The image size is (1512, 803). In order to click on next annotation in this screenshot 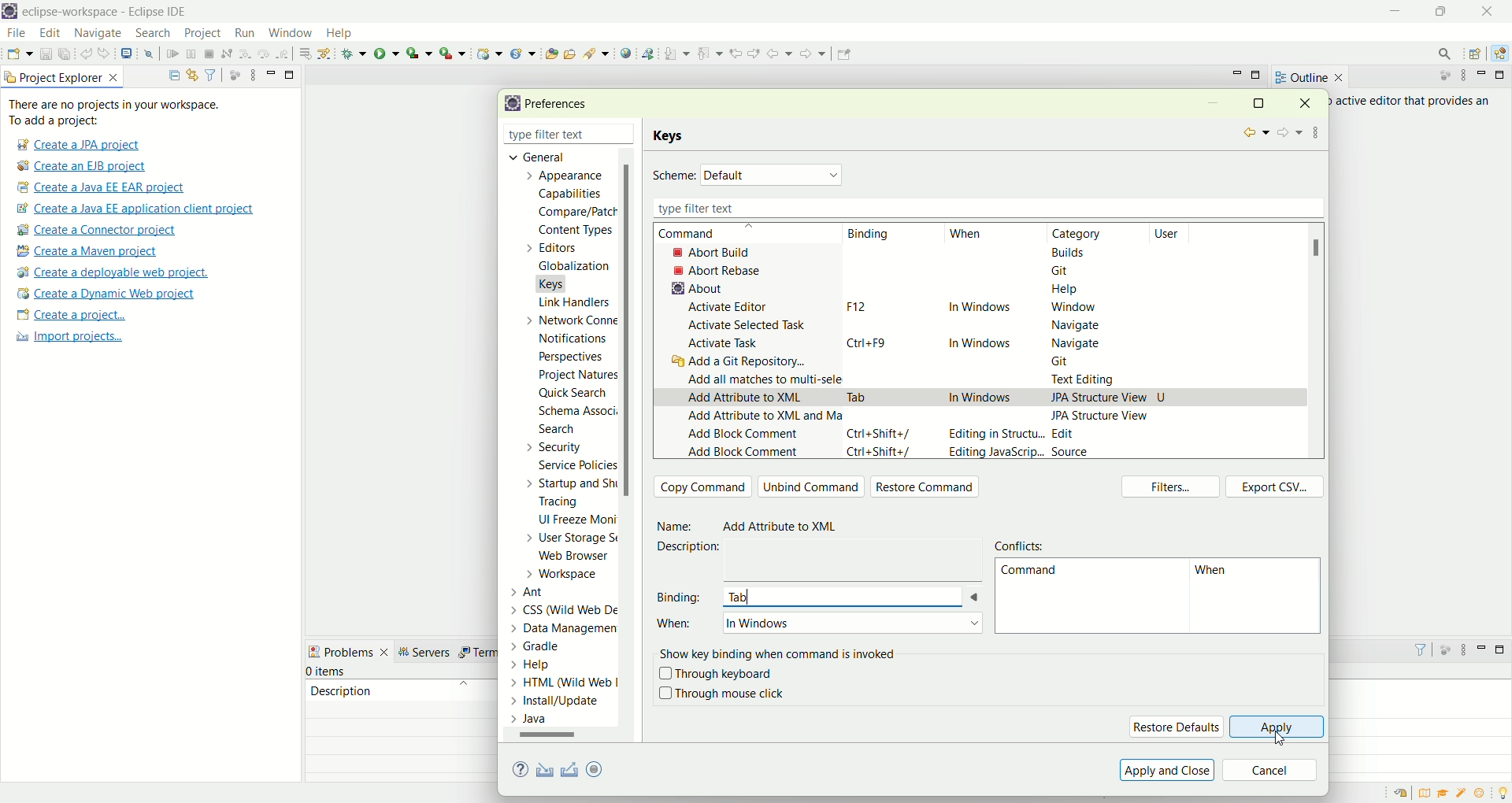, I will do `click(677, 54)`.